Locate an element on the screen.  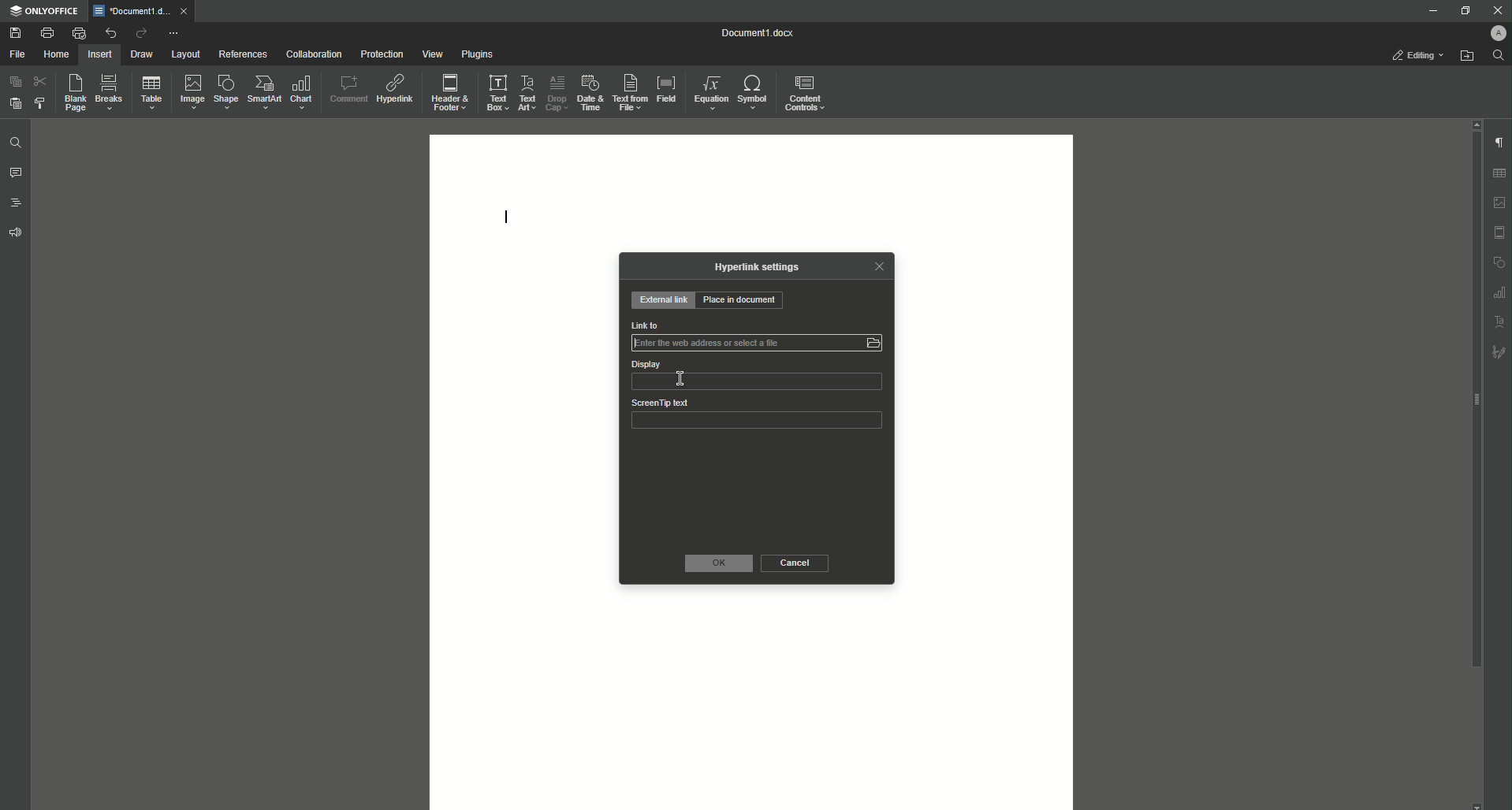
Imgae settings is located at coordinates (1500, 203).